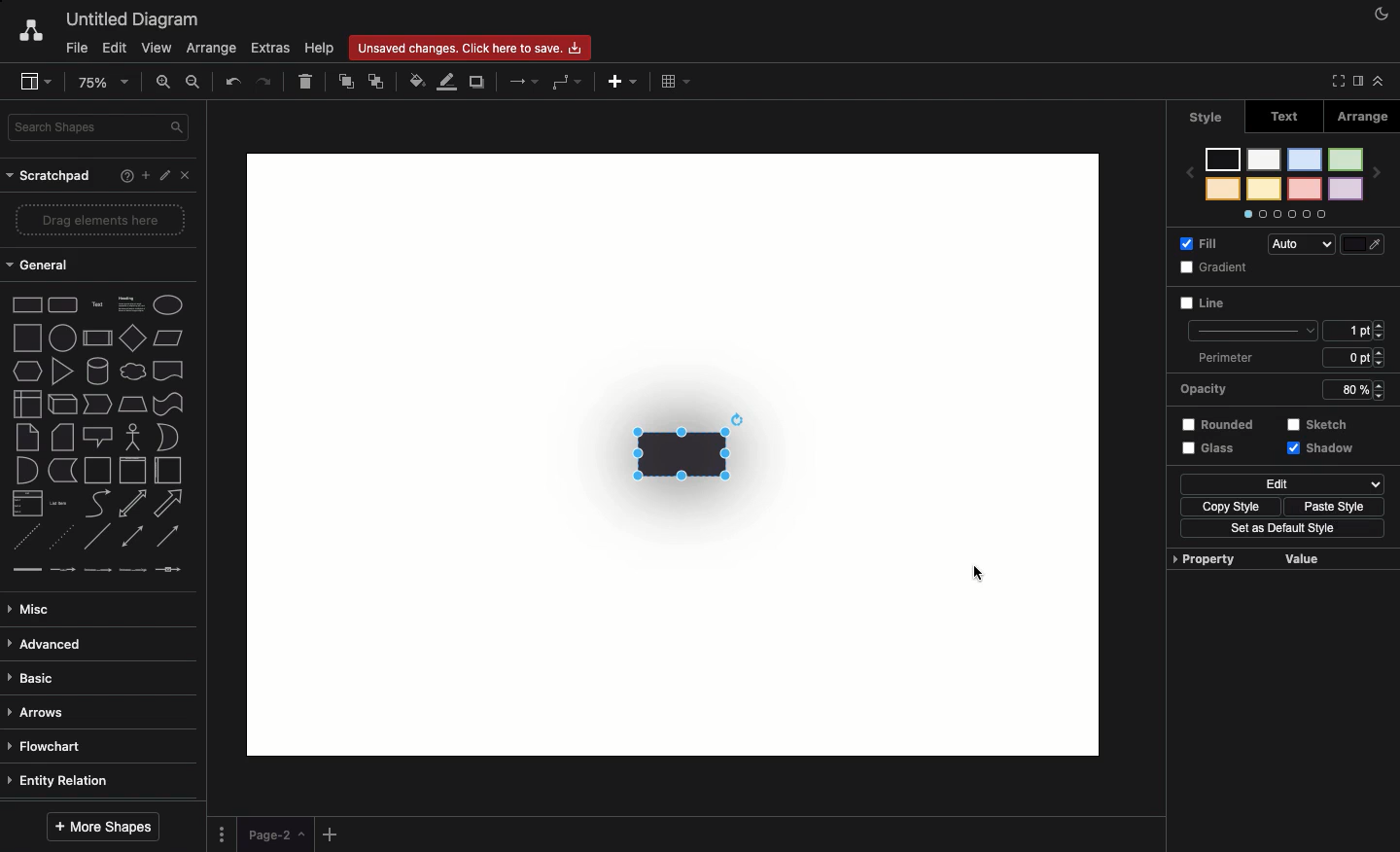 The height and width of the screenshot is (852, 1400). I want to click on color 2, so click(1346, 189).